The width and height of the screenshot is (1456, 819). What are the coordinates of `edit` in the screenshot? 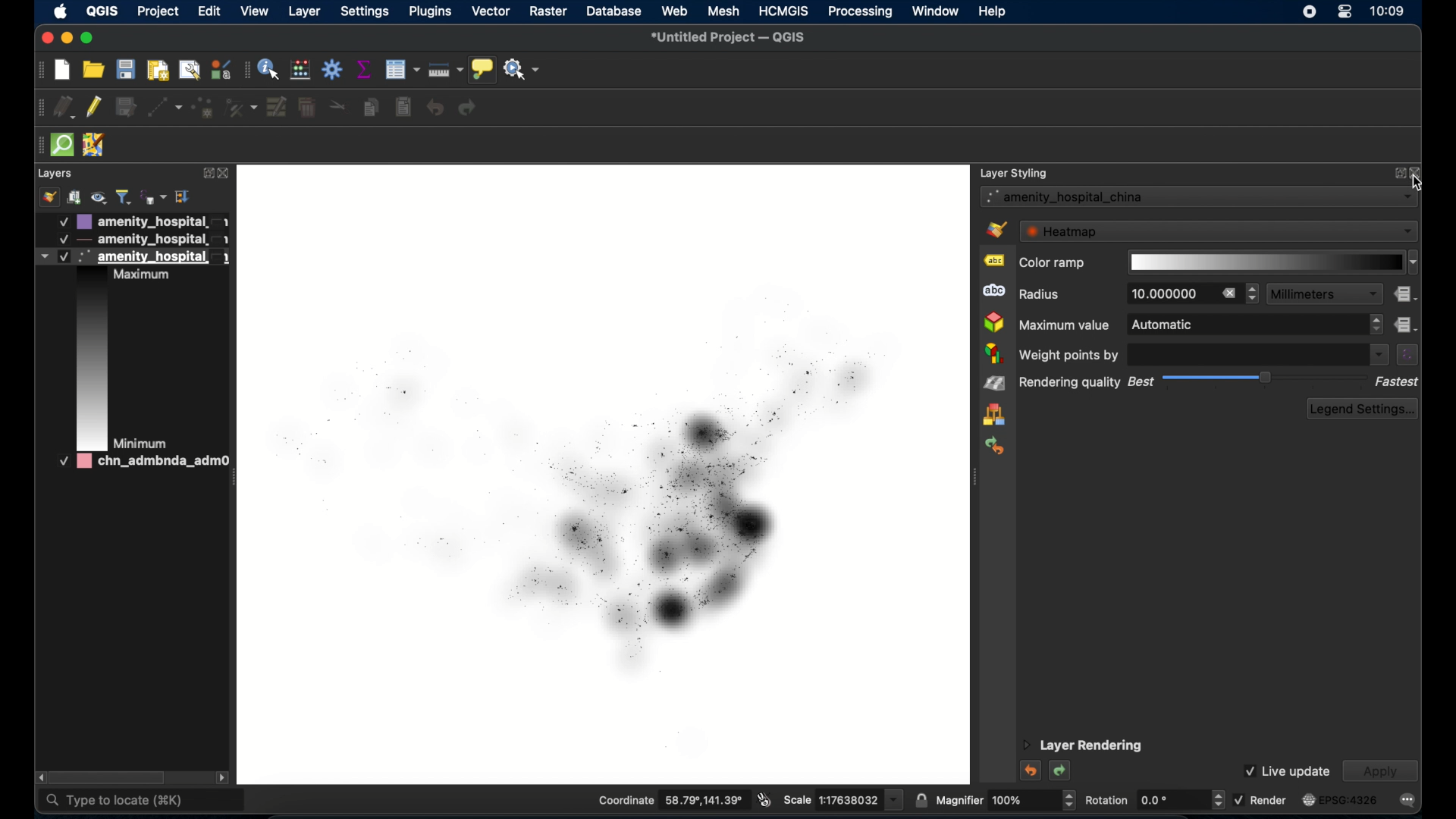 It's located at (209, 11).